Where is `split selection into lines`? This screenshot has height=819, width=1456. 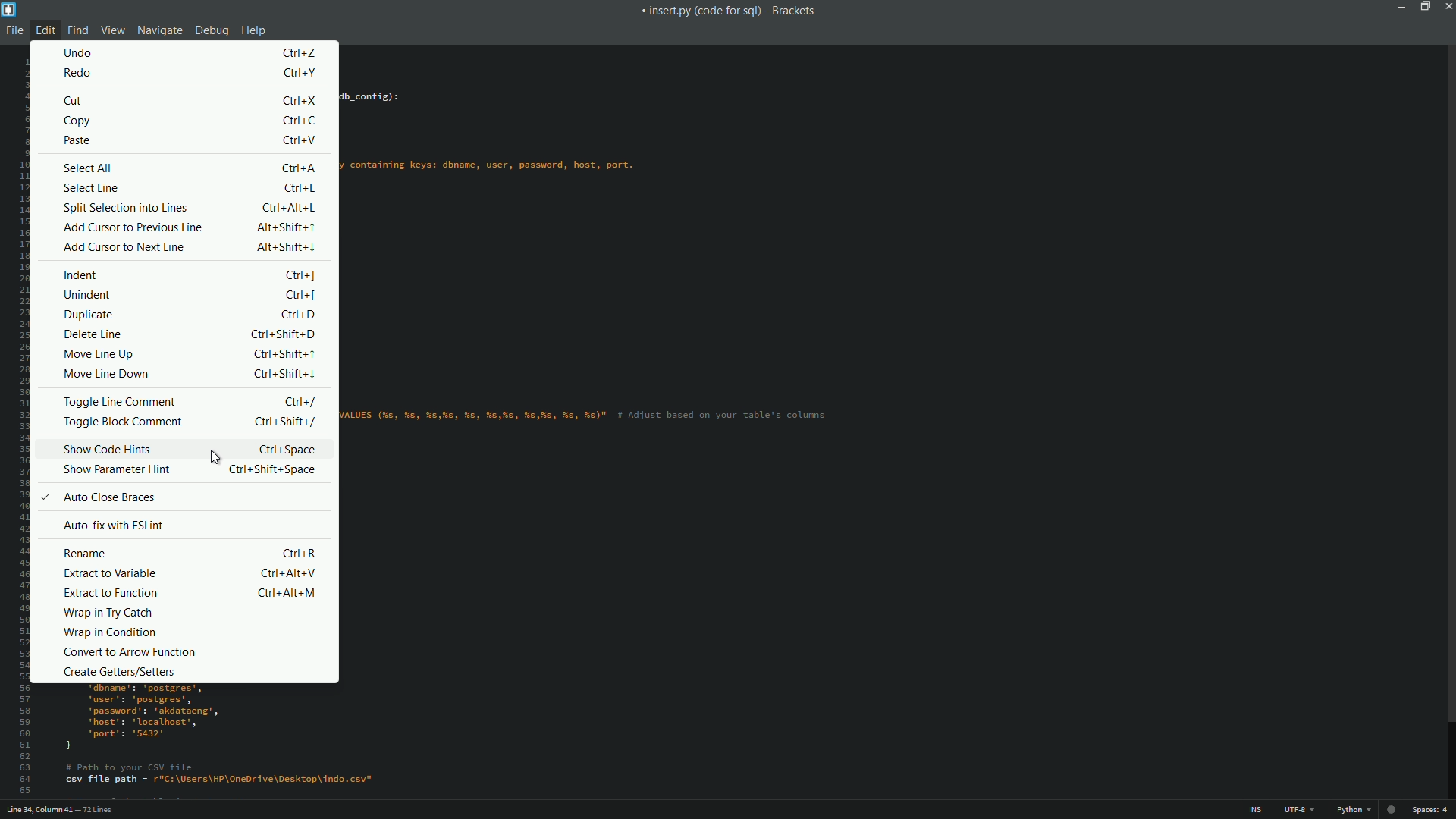 split selection into lines is located at coordinates (124, 209).